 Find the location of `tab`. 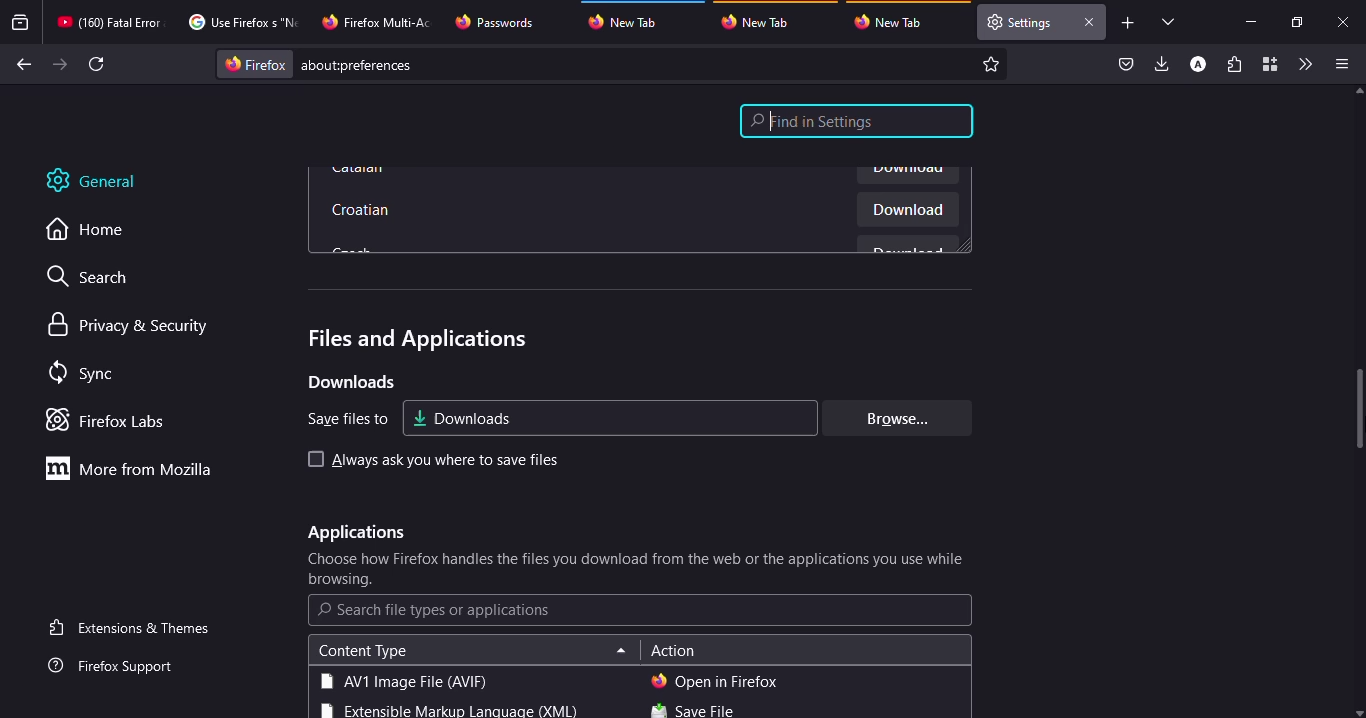

tab is located at coordinates (497, 22).